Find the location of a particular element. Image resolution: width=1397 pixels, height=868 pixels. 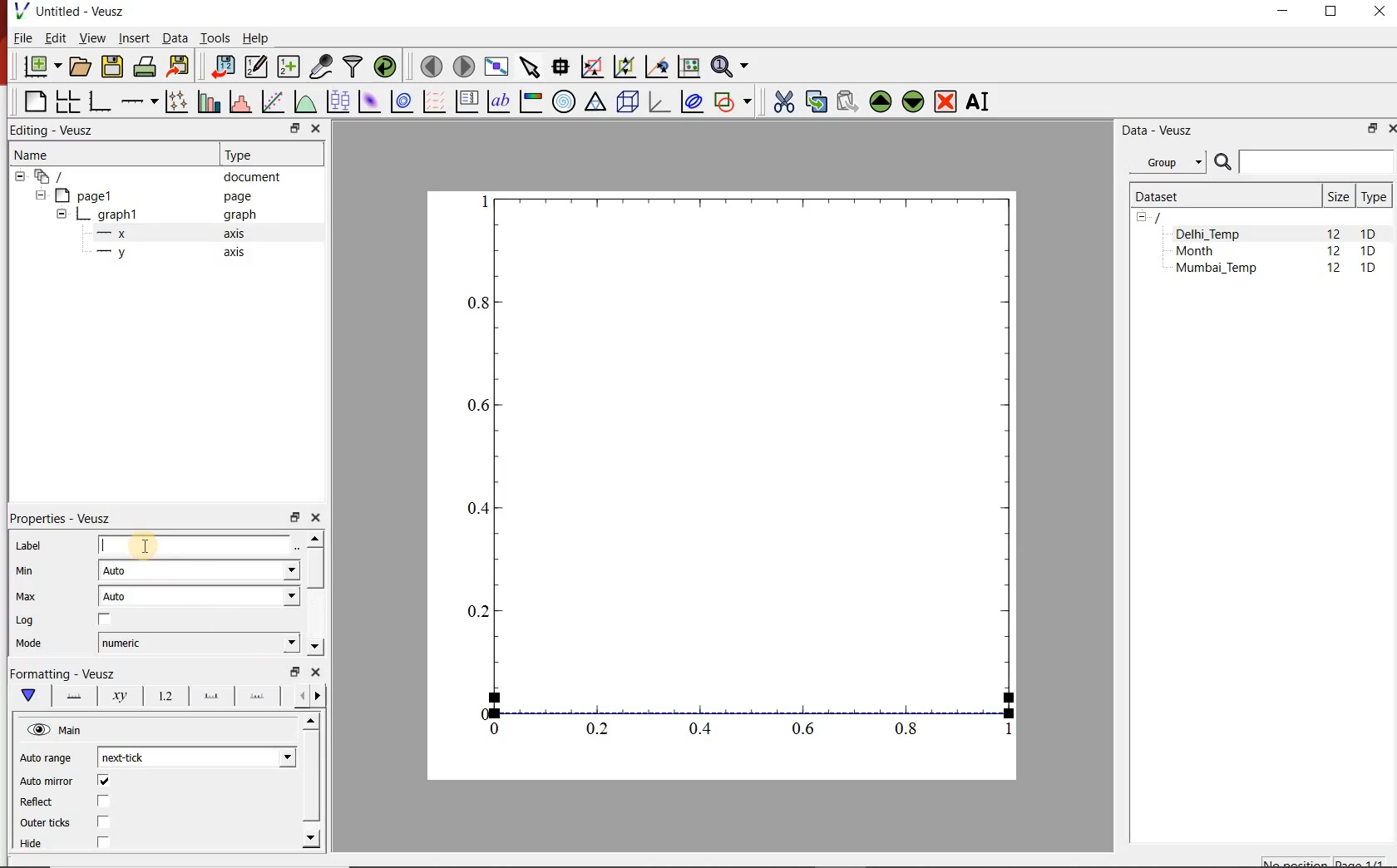

MINIMIZE is located at coordinates (1284, 12).